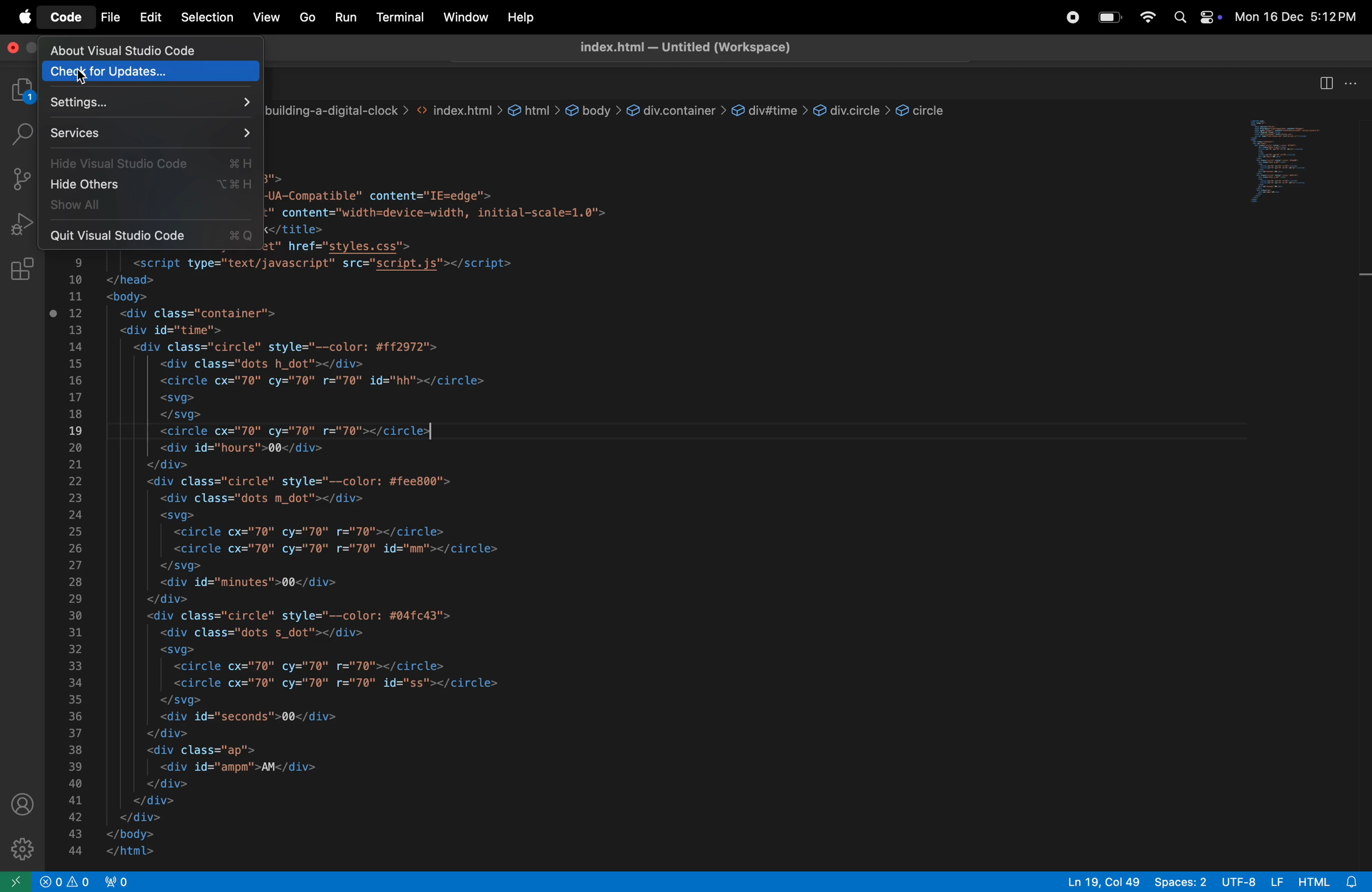 This screenshot has width=1372, height=892. What do you see at coordinates (183, 566) in the screenshot?
I see `</svg>` at bounding box center [183, 566].